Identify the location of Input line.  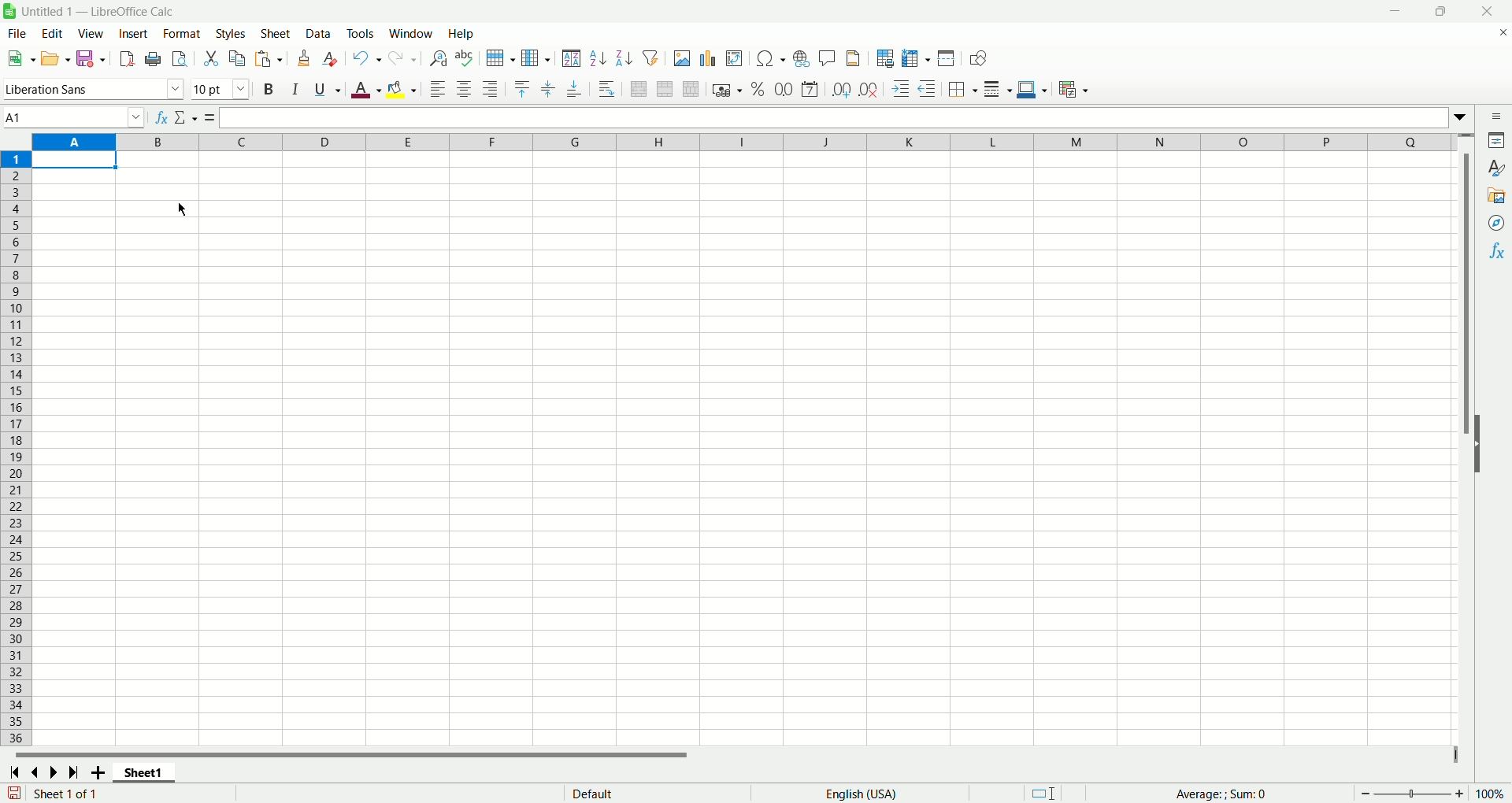
(831, 118).